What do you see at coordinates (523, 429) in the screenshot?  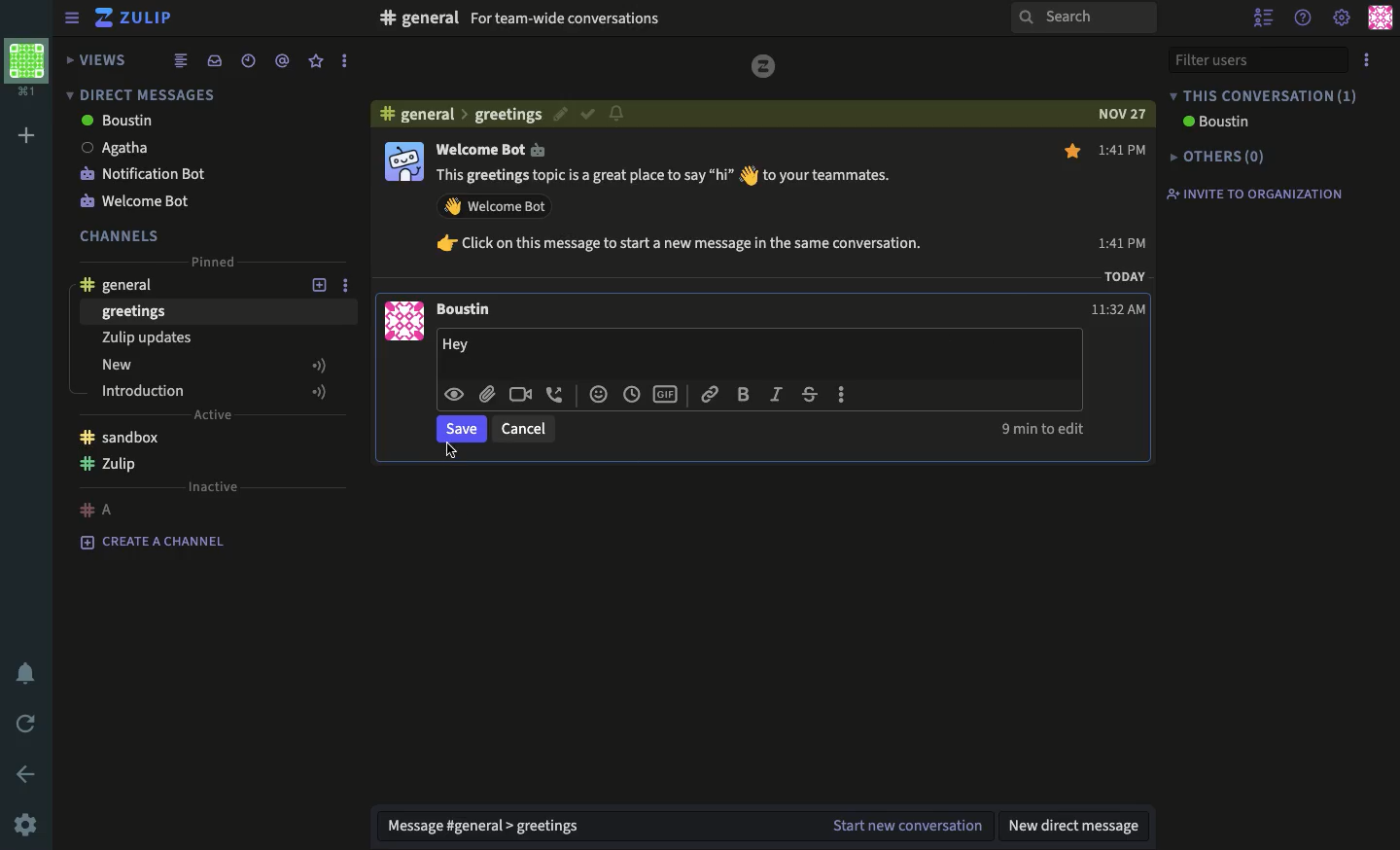 I see `cancel` at bounding box center [523, 429].